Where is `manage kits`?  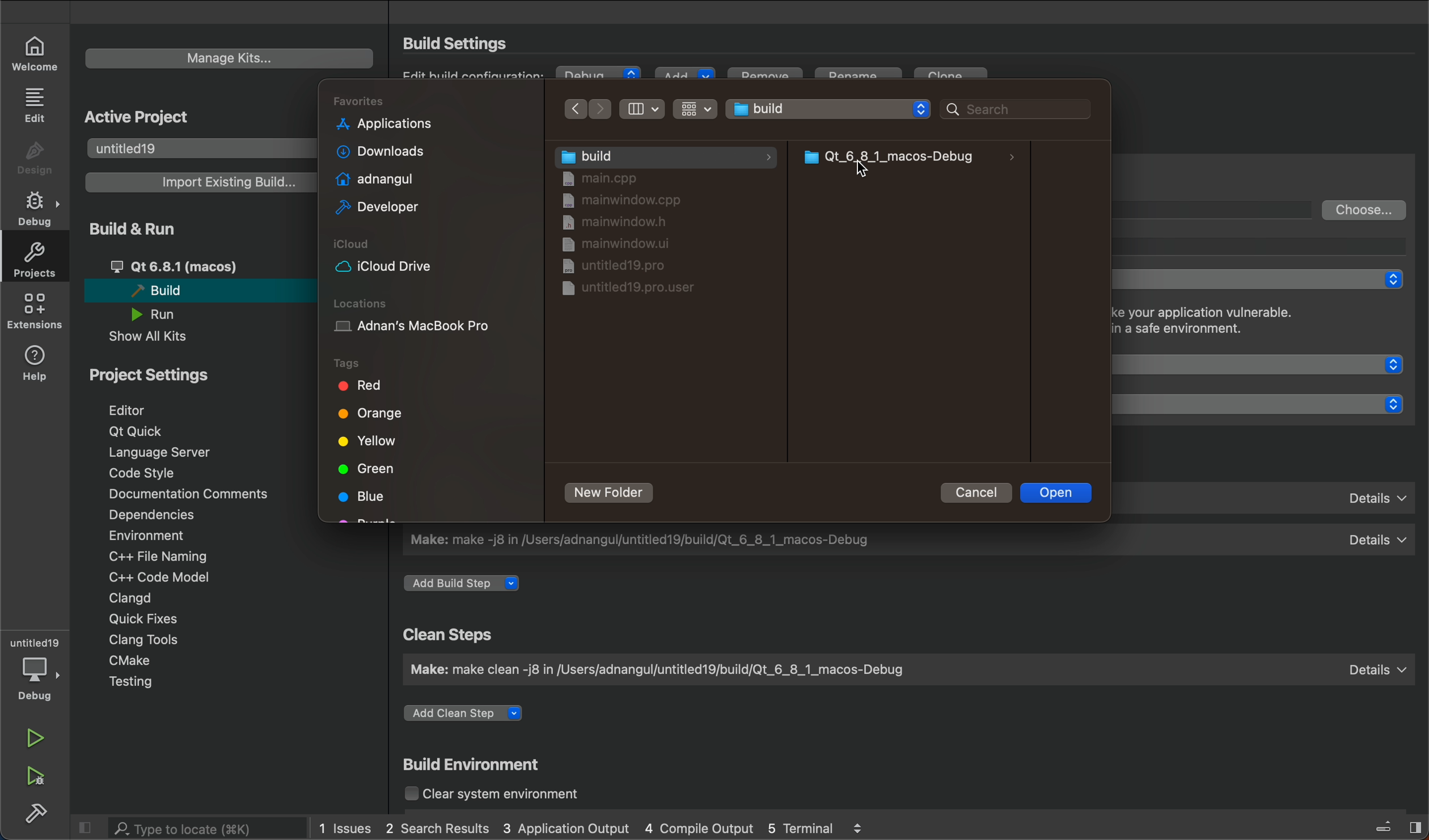 manage kits is located at coordinates (230, 58).